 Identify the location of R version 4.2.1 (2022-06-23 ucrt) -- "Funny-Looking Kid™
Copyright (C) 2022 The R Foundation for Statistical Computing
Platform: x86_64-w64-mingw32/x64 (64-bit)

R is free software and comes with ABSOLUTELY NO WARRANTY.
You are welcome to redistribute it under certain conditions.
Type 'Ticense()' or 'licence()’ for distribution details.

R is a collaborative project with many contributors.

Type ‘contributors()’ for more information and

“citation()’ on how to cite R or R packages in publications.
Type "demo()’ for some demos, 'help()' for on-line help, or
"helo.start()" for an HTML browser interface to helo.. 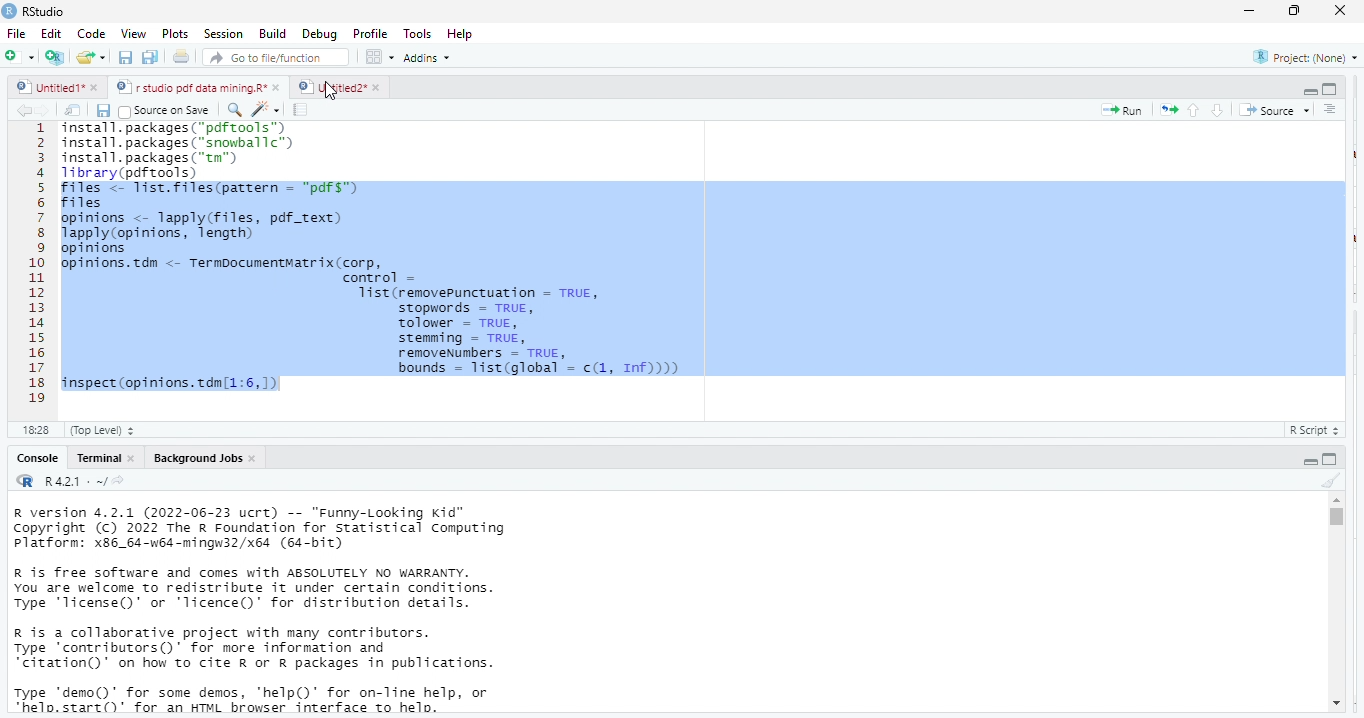
(291, 611).